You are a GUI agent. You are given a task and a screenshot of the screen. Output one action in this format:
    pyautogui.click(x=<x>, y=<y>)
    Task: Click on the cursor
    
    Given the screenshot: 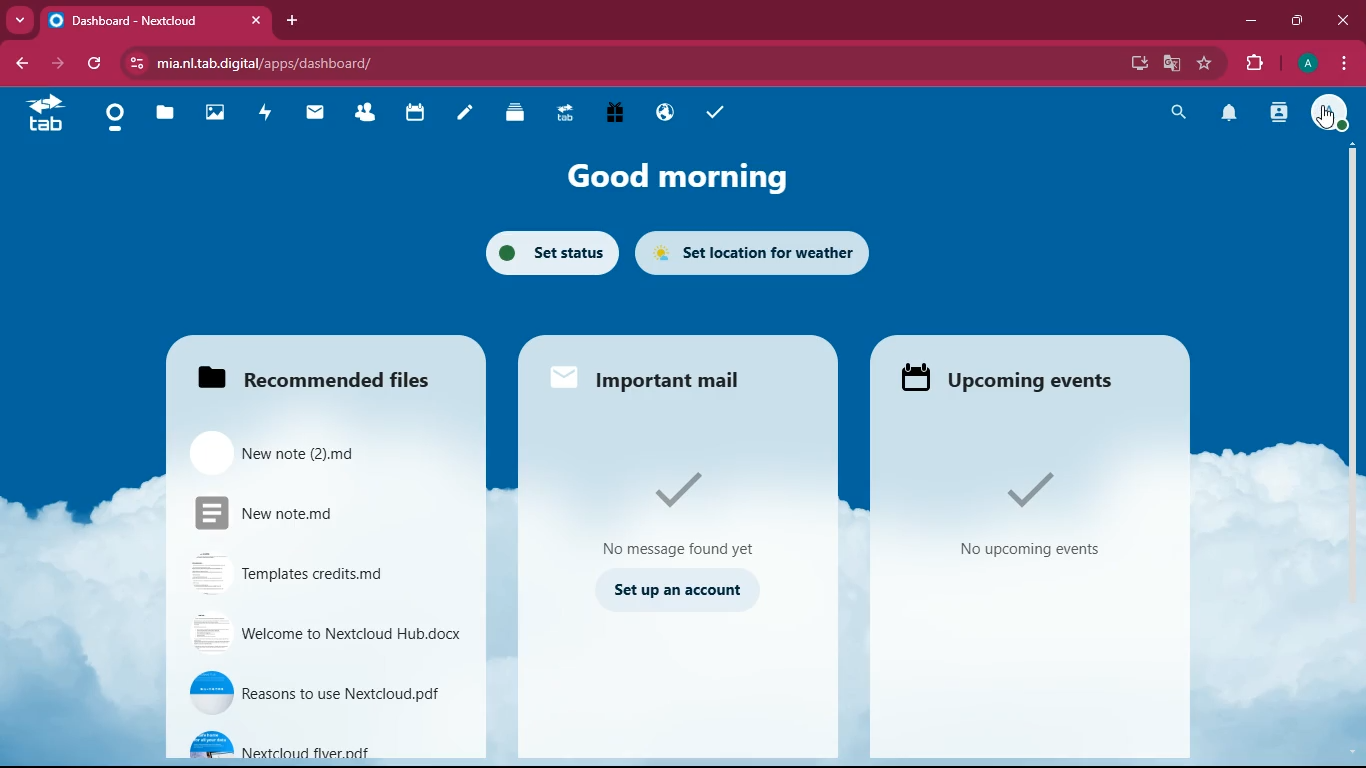 What is the action you would take?
    pyautogui.click(x=1326, y=117)
    